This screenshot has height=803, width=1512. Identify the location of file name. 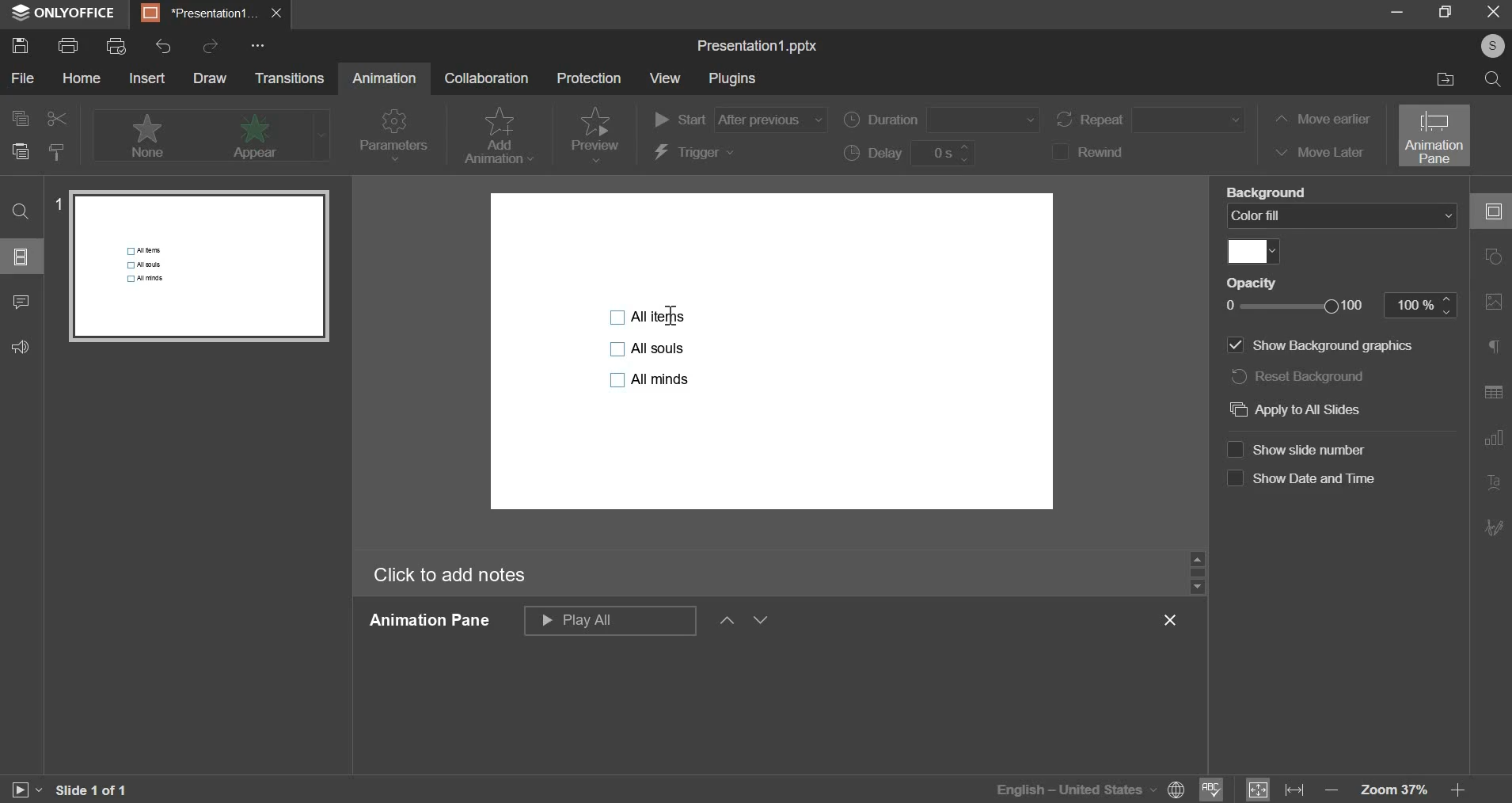
(758, 47).